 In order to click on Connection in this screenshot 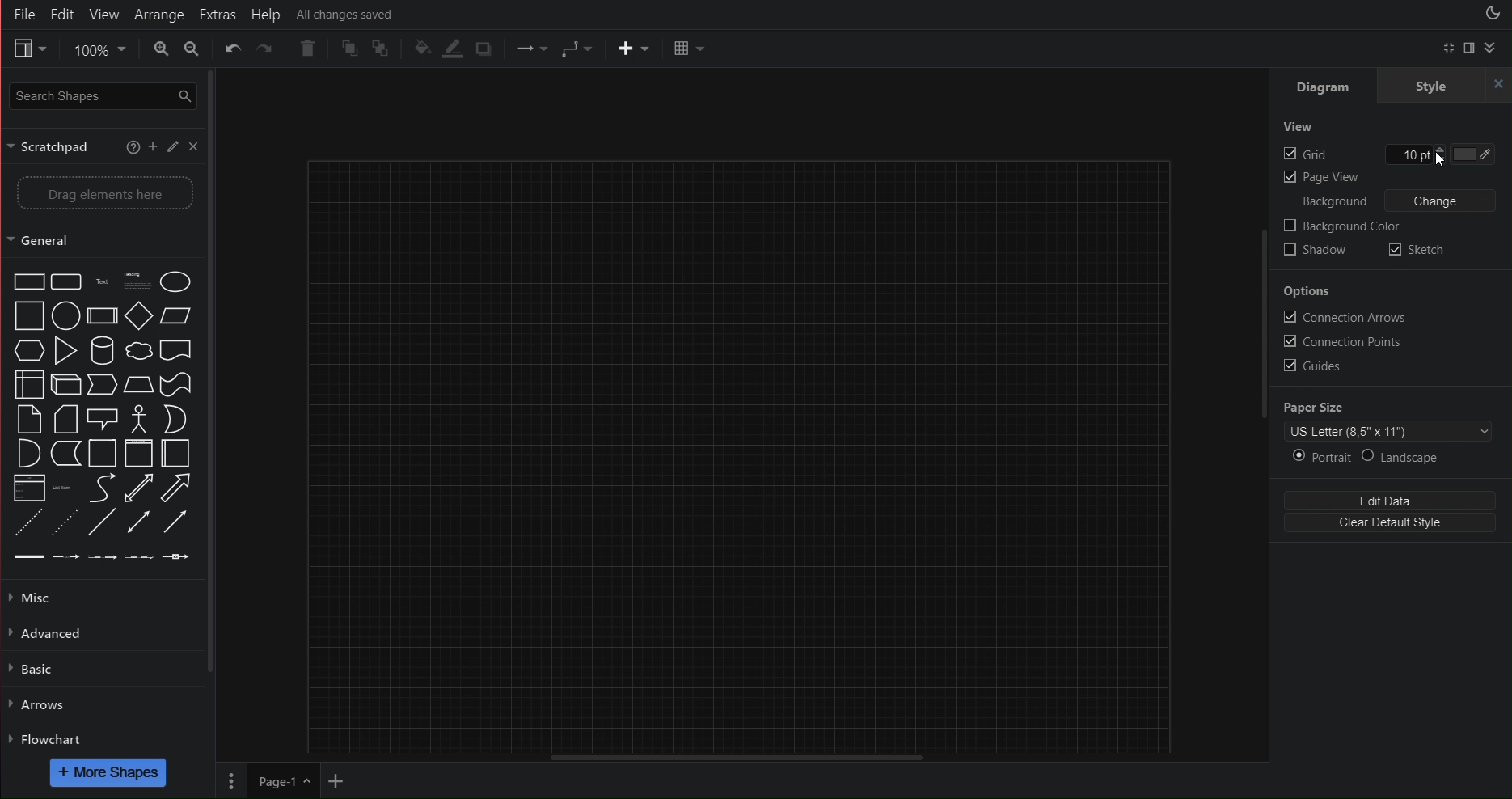, I will do `click(529, 49)`.